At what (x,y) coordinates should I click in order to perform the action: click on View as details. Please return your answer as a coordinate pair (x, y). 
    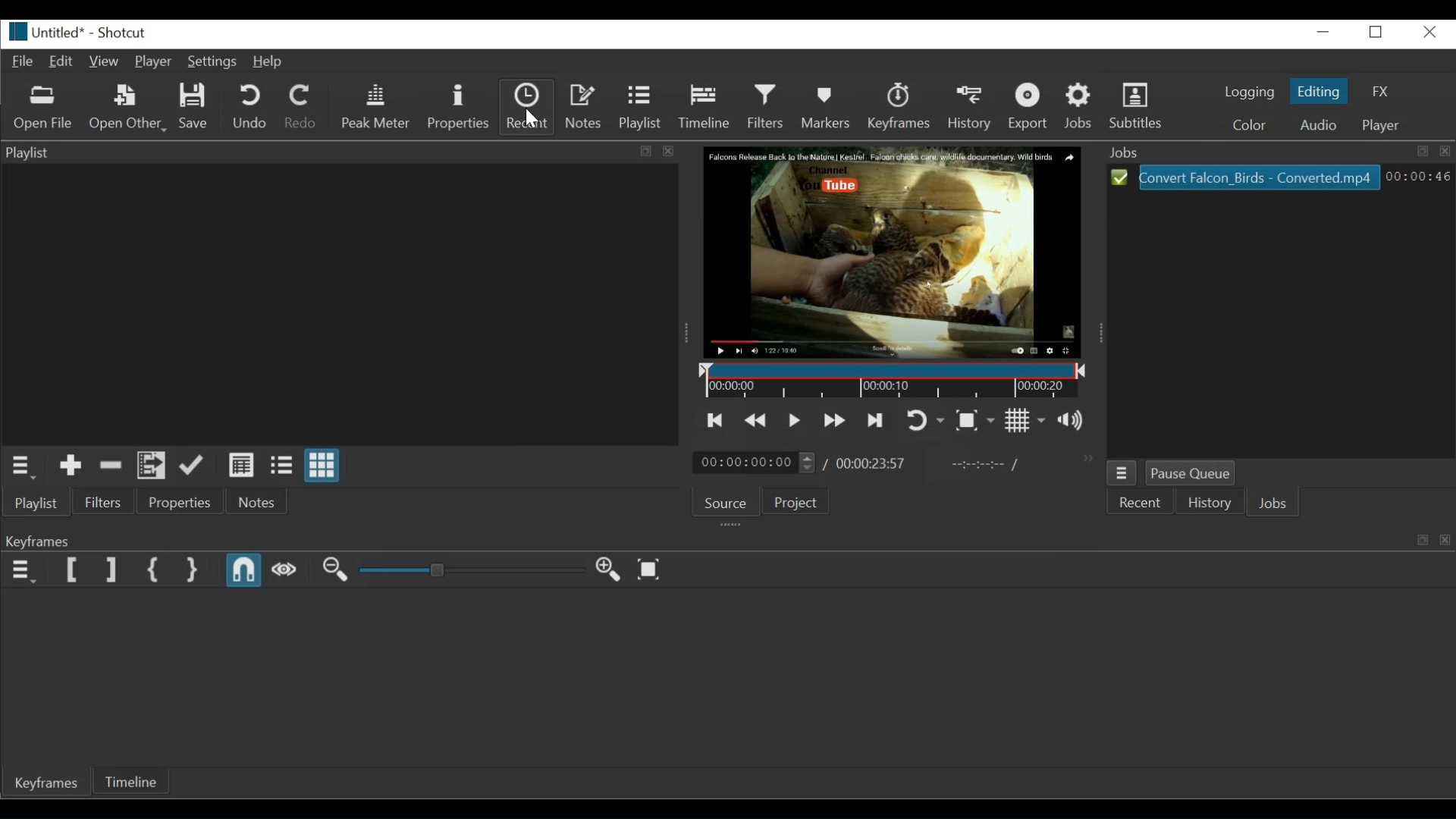
    Looking at the image, I should click on (240, 466).